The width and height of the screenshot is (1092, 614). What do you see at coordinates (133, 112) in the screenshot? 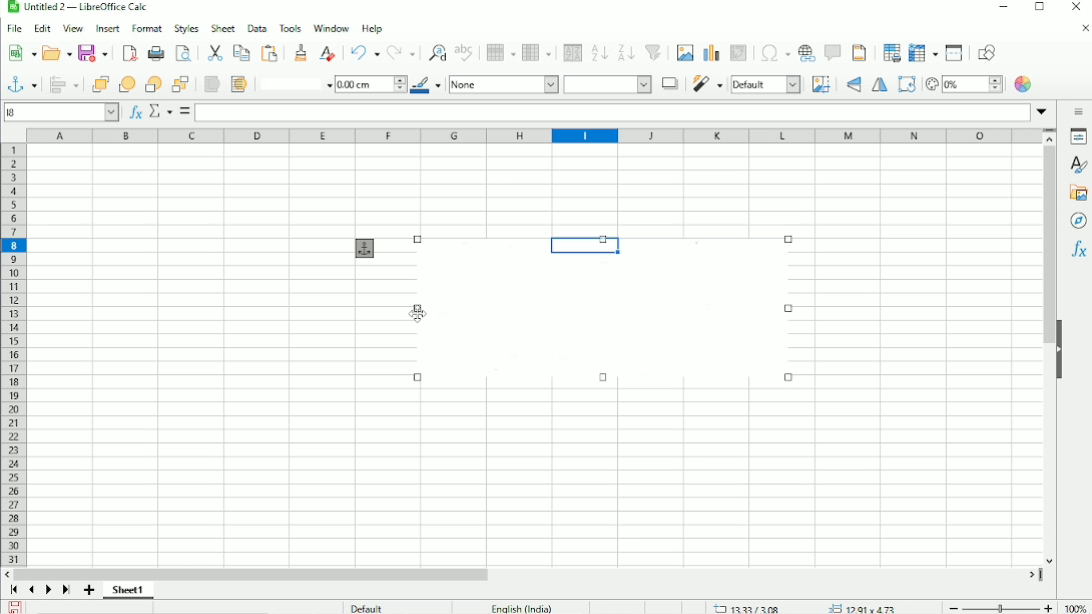
I see `Function wizard` at bounding box center [133, 112].